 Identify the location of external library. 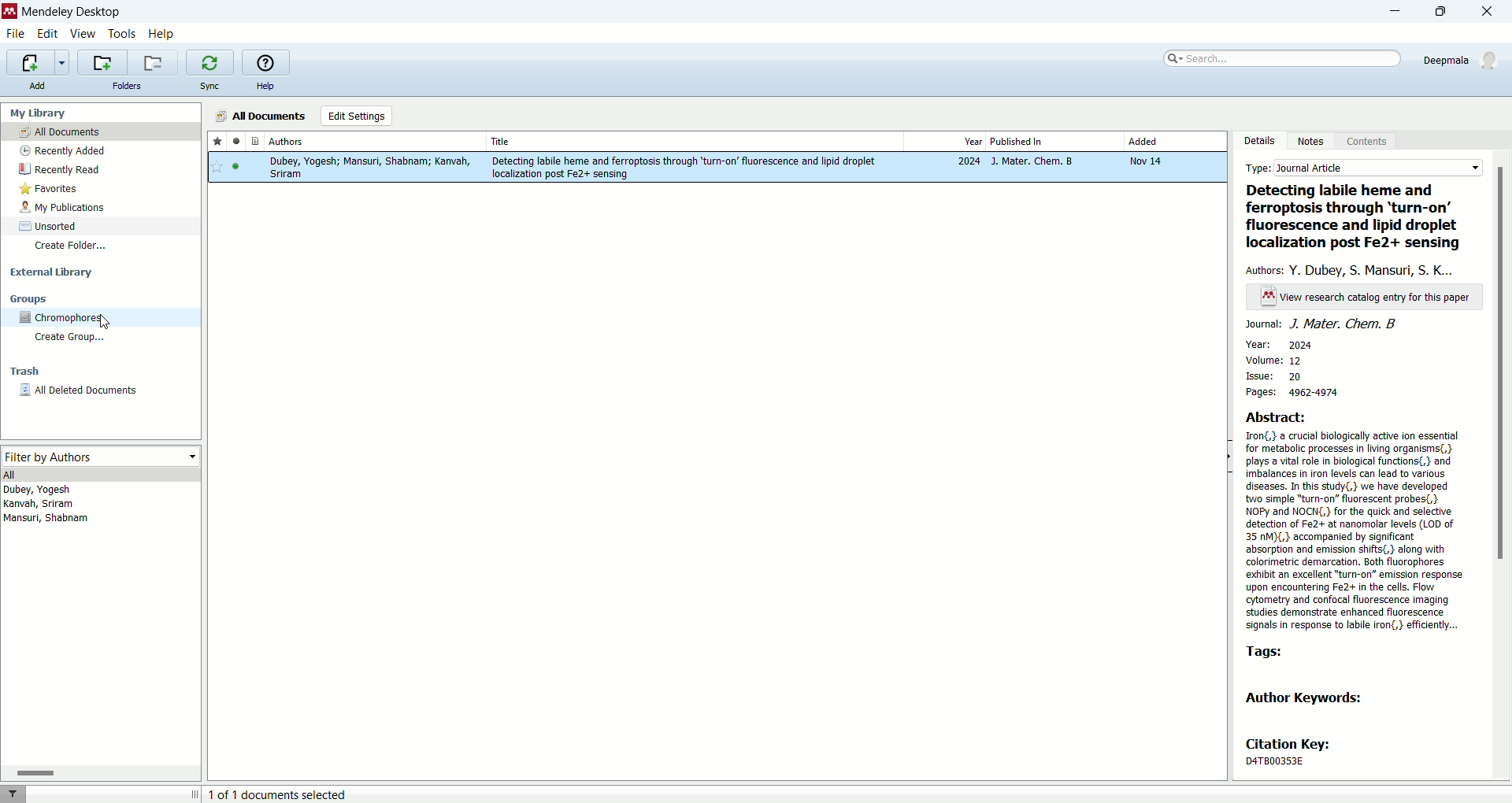
(54, 273).